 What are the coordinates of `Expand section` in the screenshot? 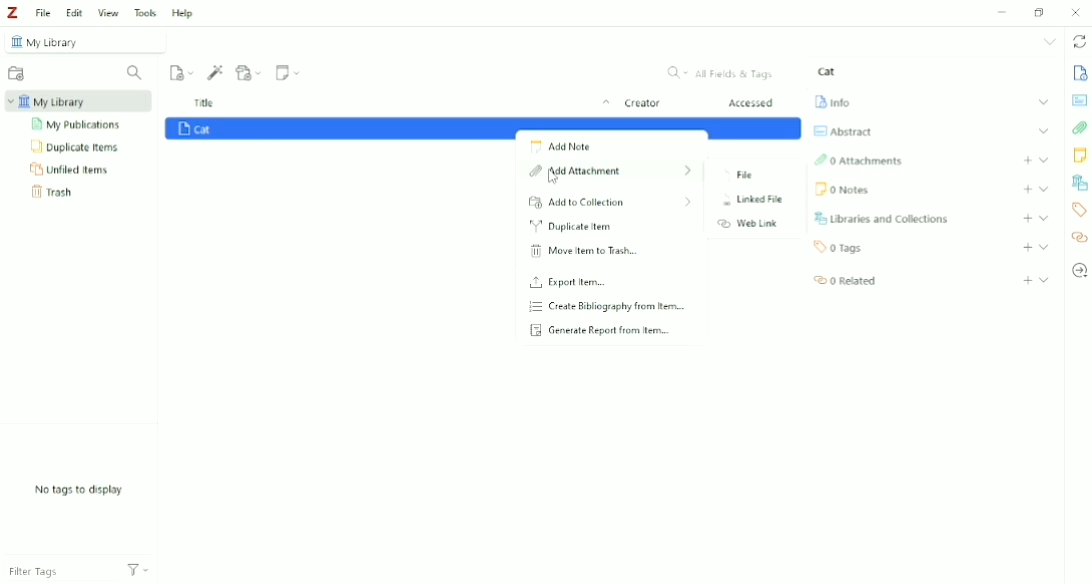 It's located at (1045, 279).